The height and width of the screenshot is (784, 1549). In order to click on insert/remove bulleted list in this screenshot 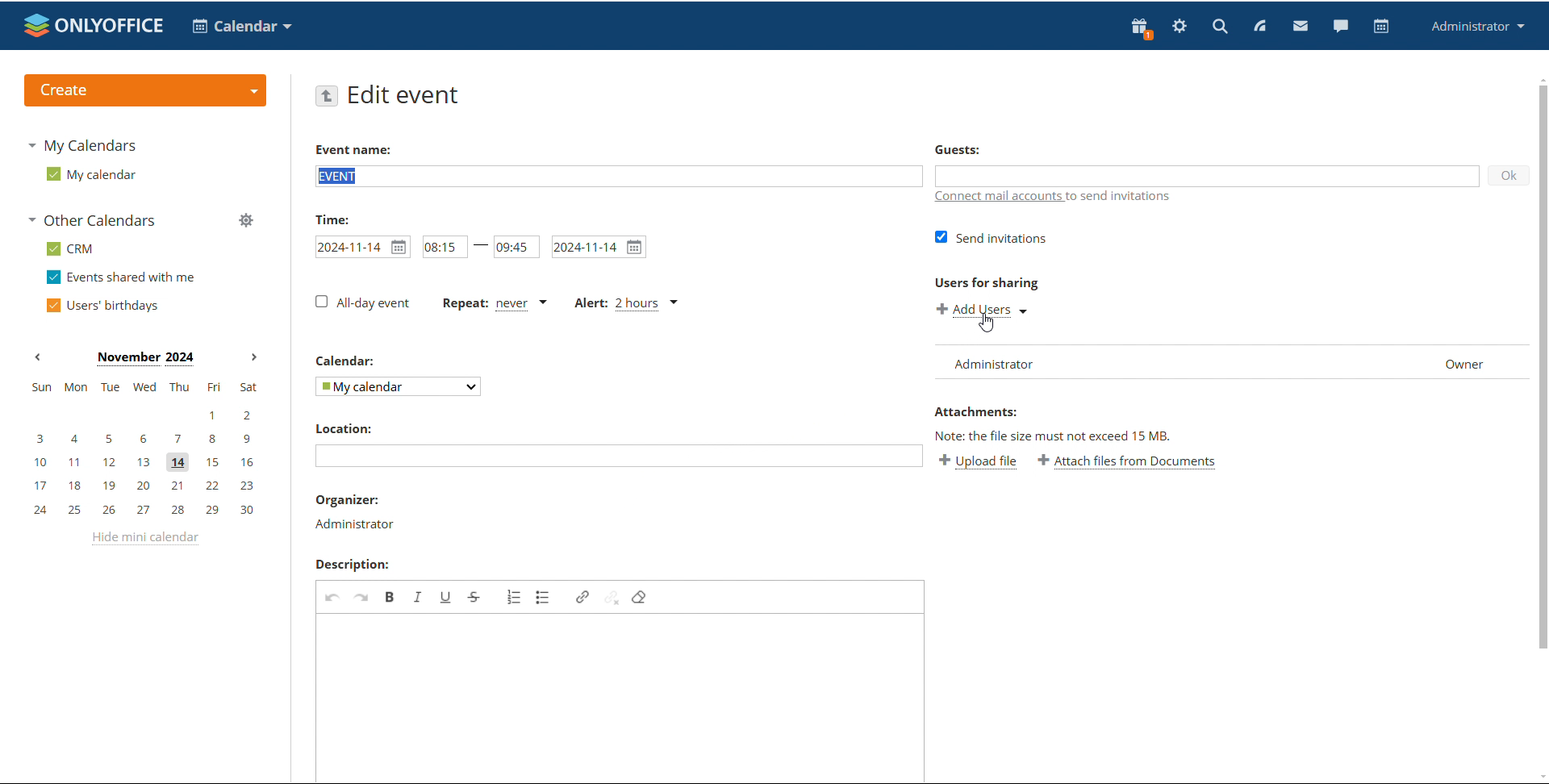, I will do `click(543, 596)`.